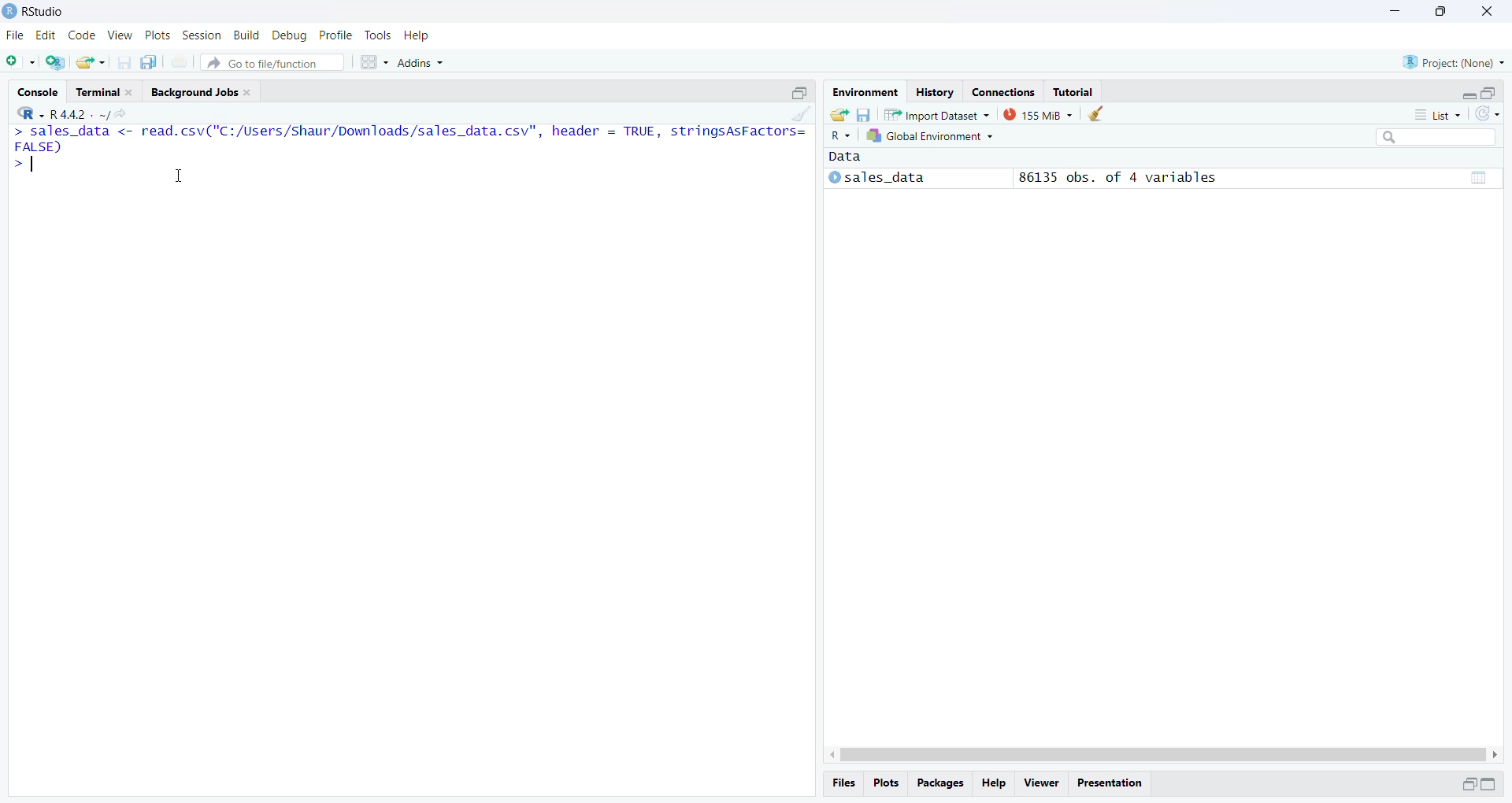 This screenshot has width=1512, height=803. I want to click on Plots, so click(161, 35).